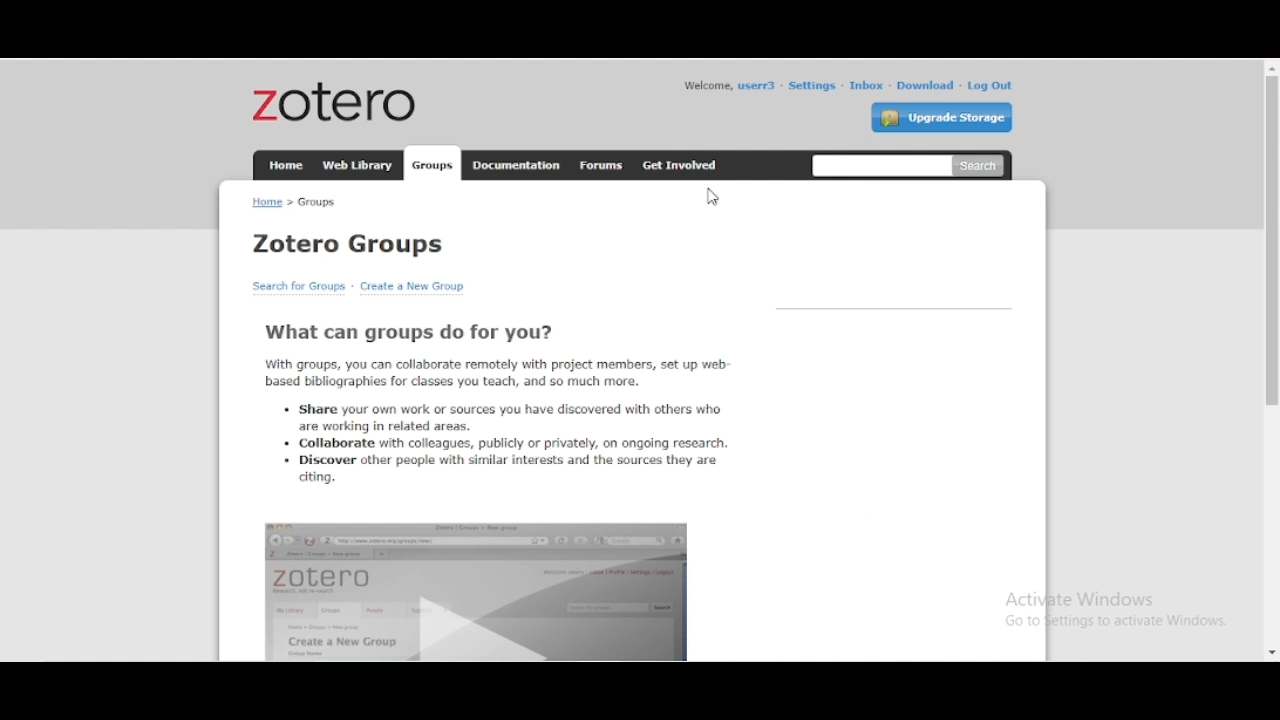  I want to click on log out, so click(990, 85).